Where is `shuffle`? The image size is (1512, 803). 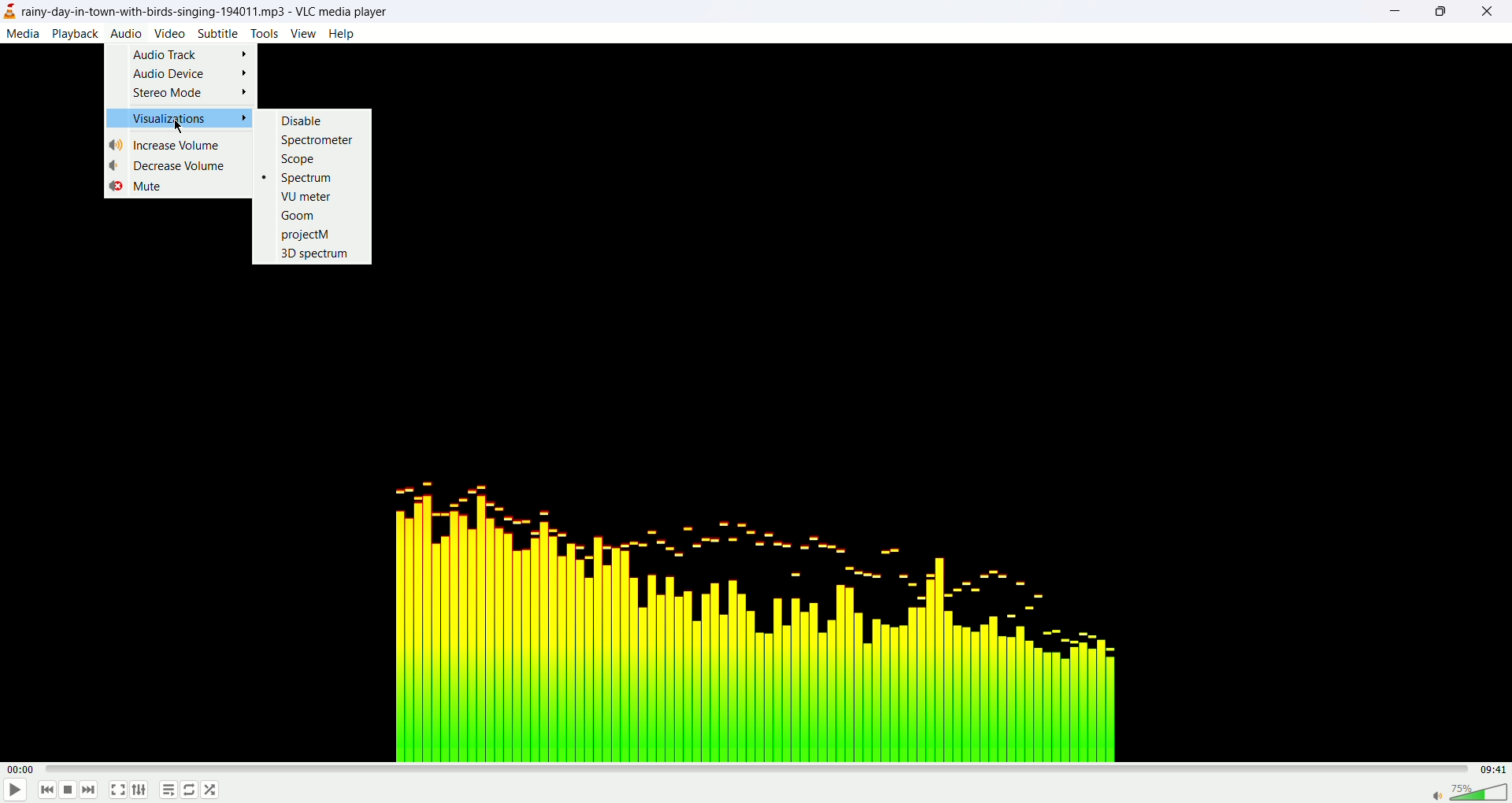 shuffle is located at coordinates (211, 790).